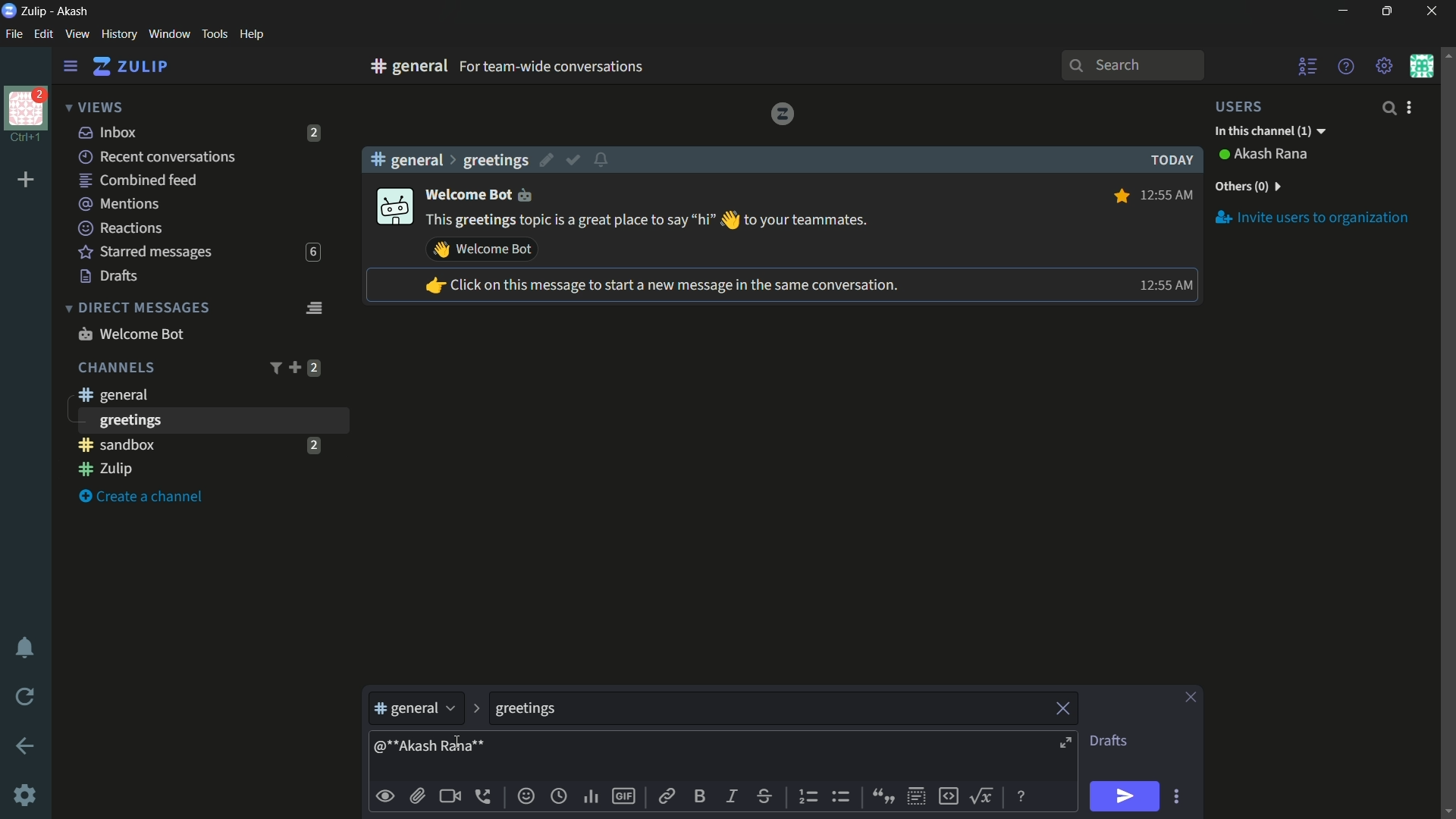 This screenshot has height=819, width=1456. What do you see at coordinates (526, 796) in the screenshot?
I see `add emoji` at bounding box center [526, 796].